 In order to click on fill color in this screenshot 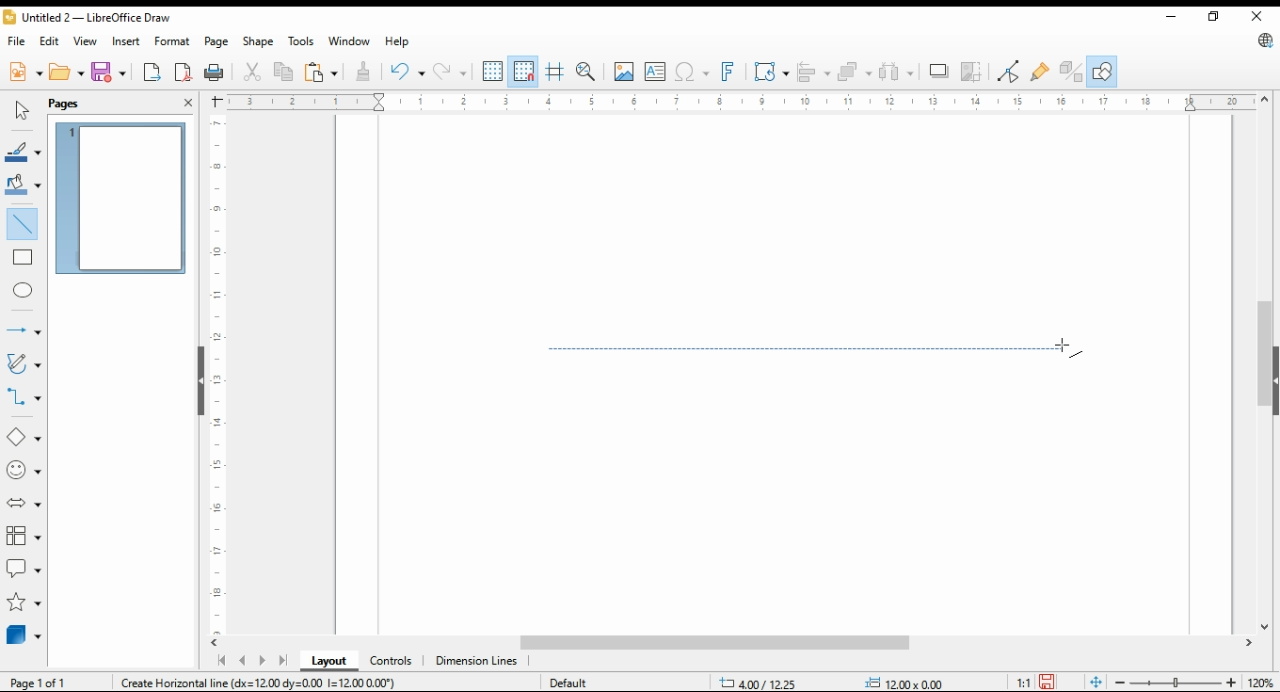, I will do `click(23, 183)`.